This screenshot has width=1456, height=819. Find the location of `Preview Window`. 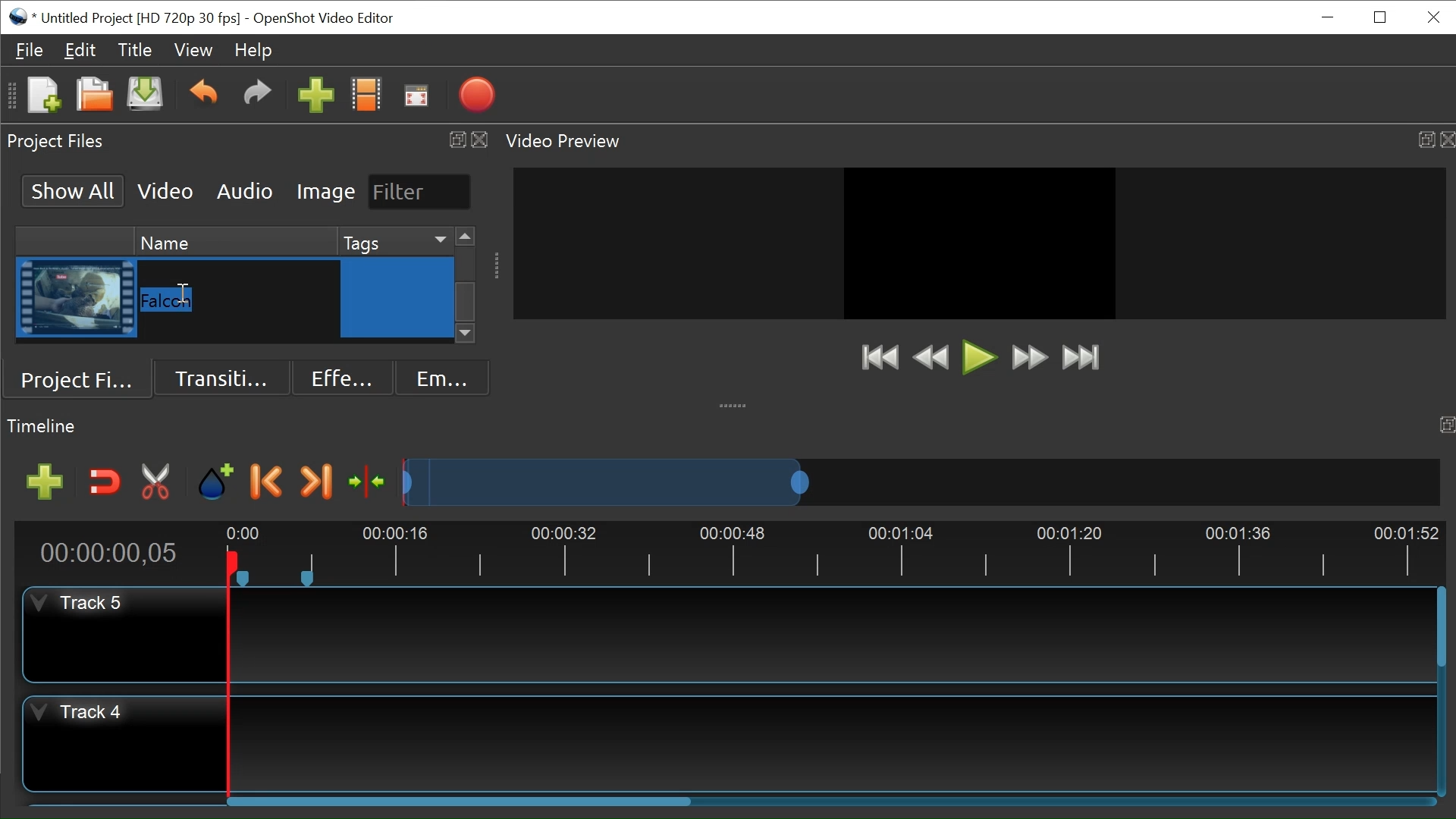

Preview Window is located at coordinates (979, 243).